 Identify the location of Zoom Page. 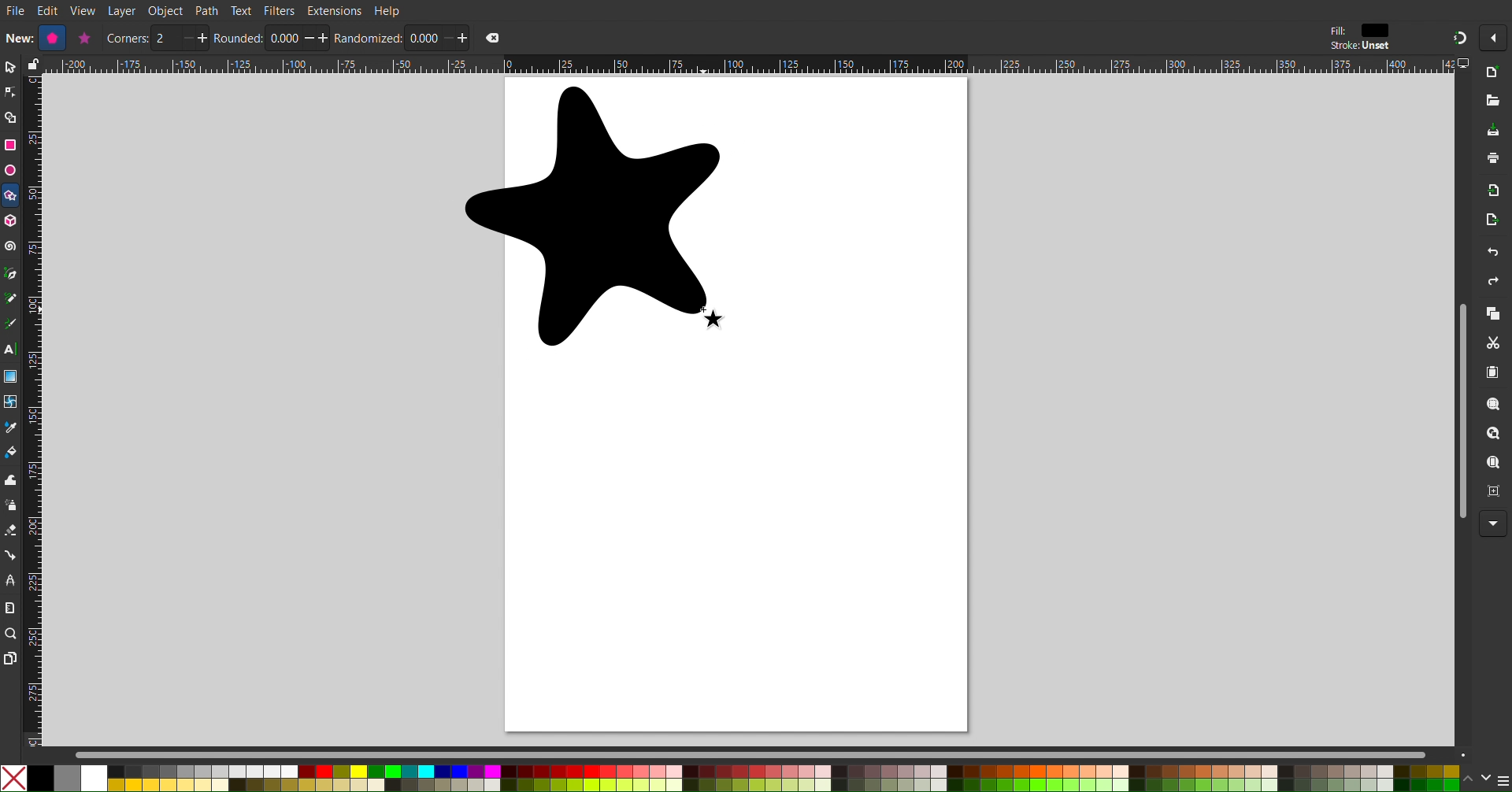
(1494, 464).